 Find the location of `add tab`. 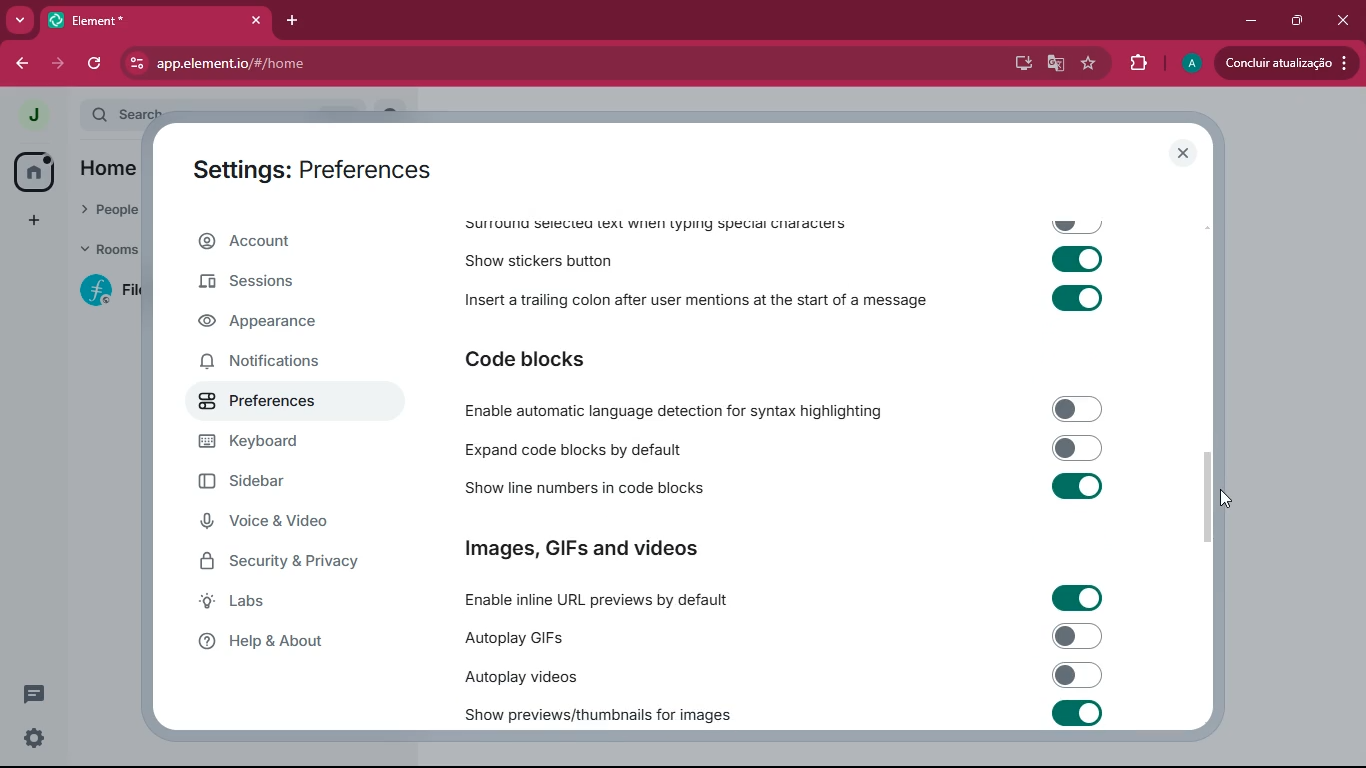

add tab is located at coordinates (293, 22).